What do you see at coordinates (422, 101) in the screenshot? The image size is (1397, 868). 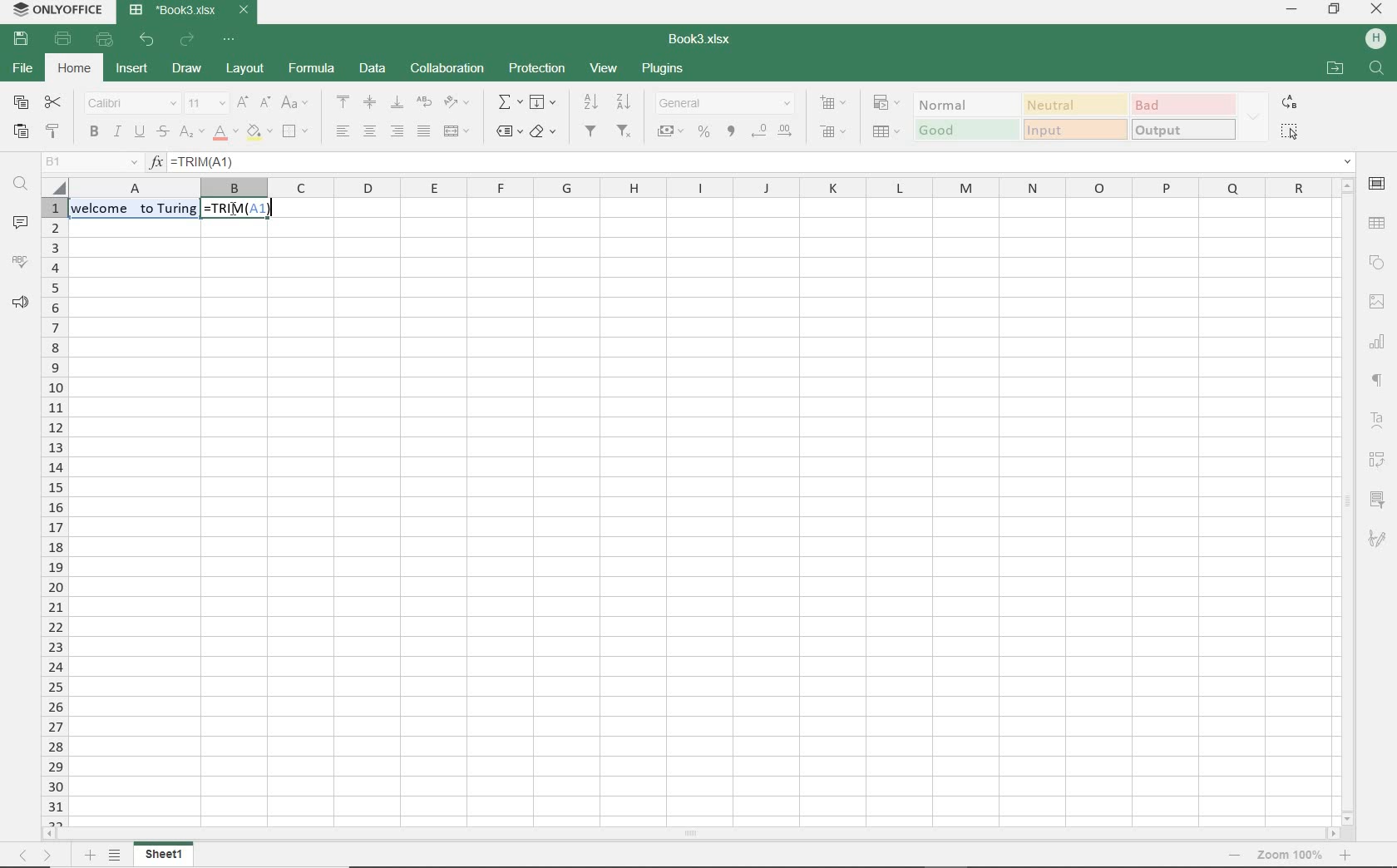 I see `wrap text` at bounding box center [422, 101].